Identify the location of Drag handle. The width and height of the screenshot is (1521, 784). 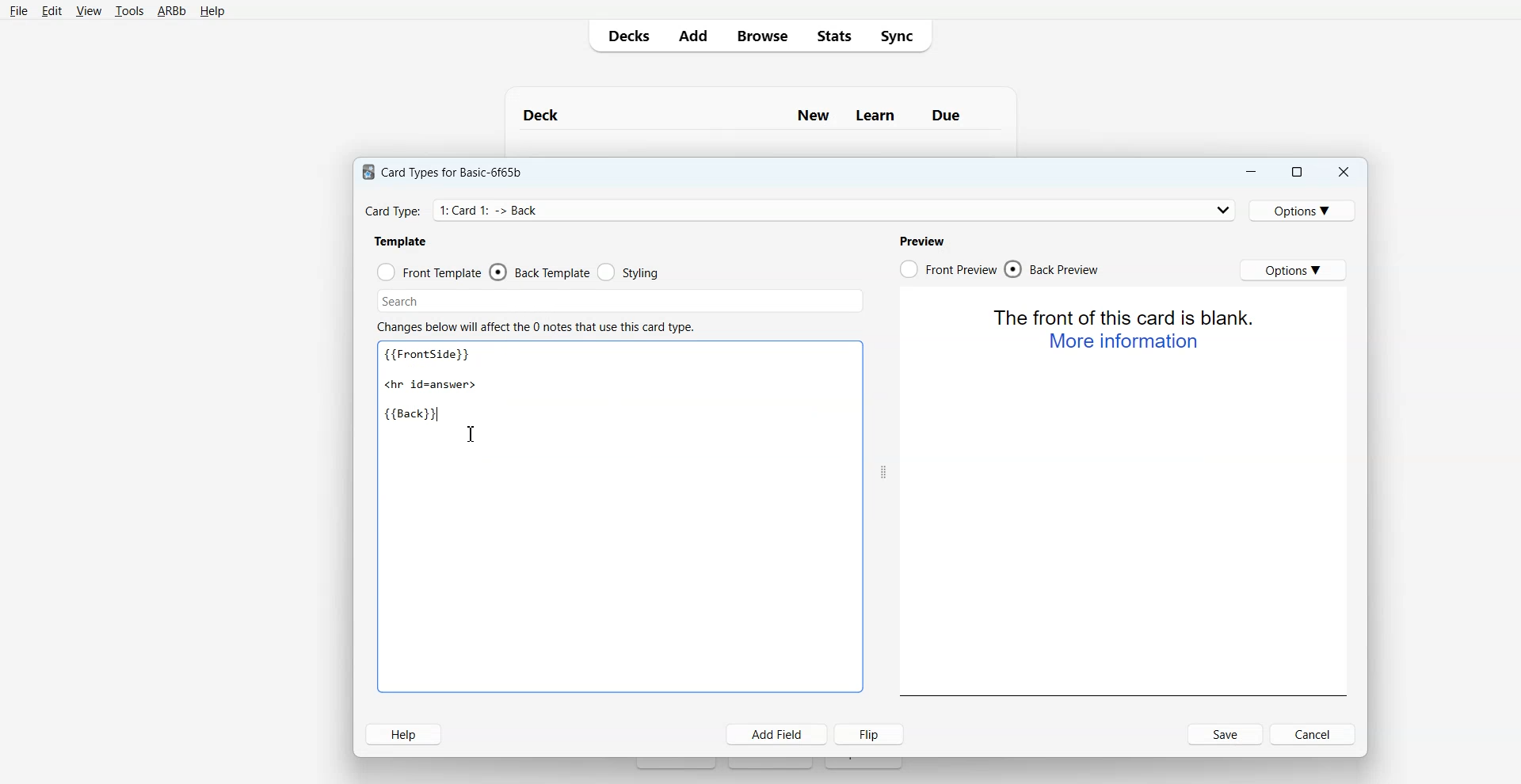
(883, 472).